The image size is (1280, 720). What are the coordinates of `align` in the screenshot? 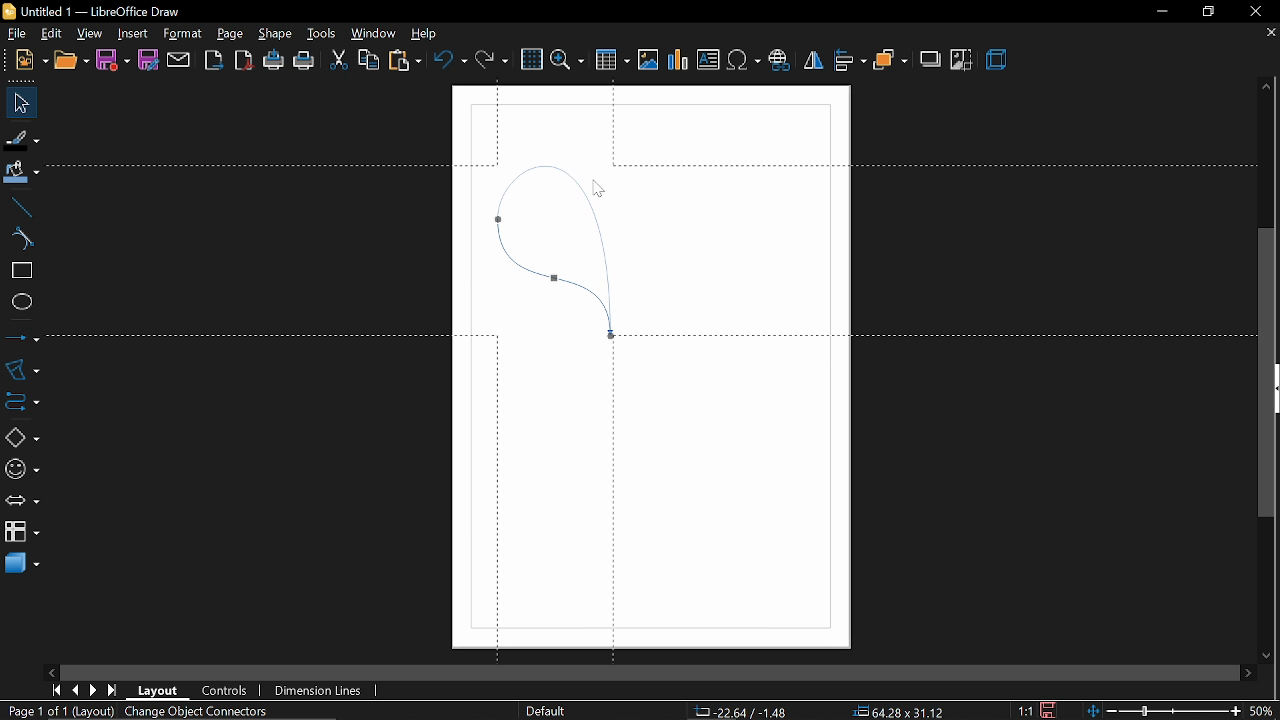 It's located at (850, 62).